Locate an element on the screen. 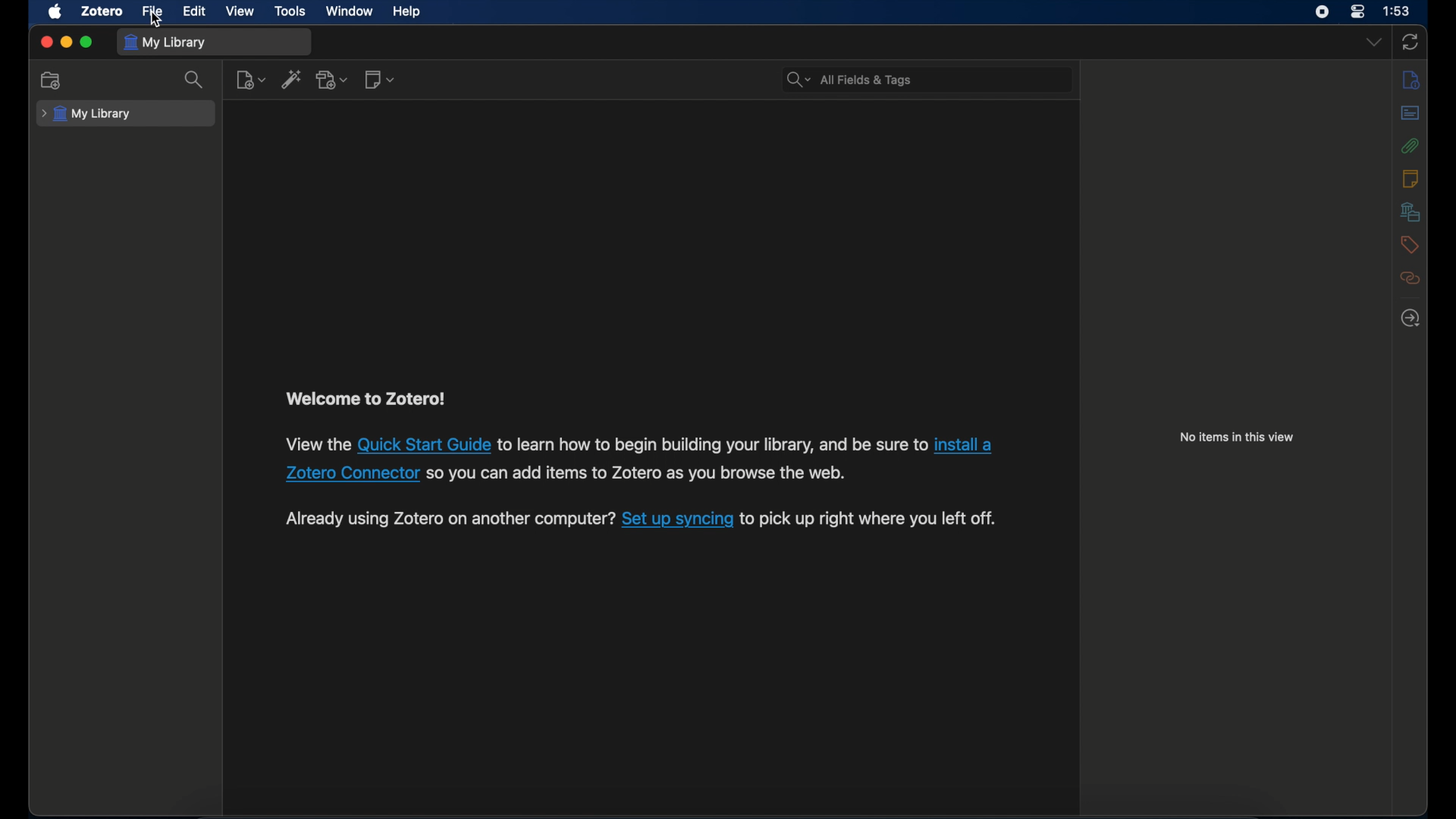 The image size is (1456, 819). my library is located at coordinates (88, 114).